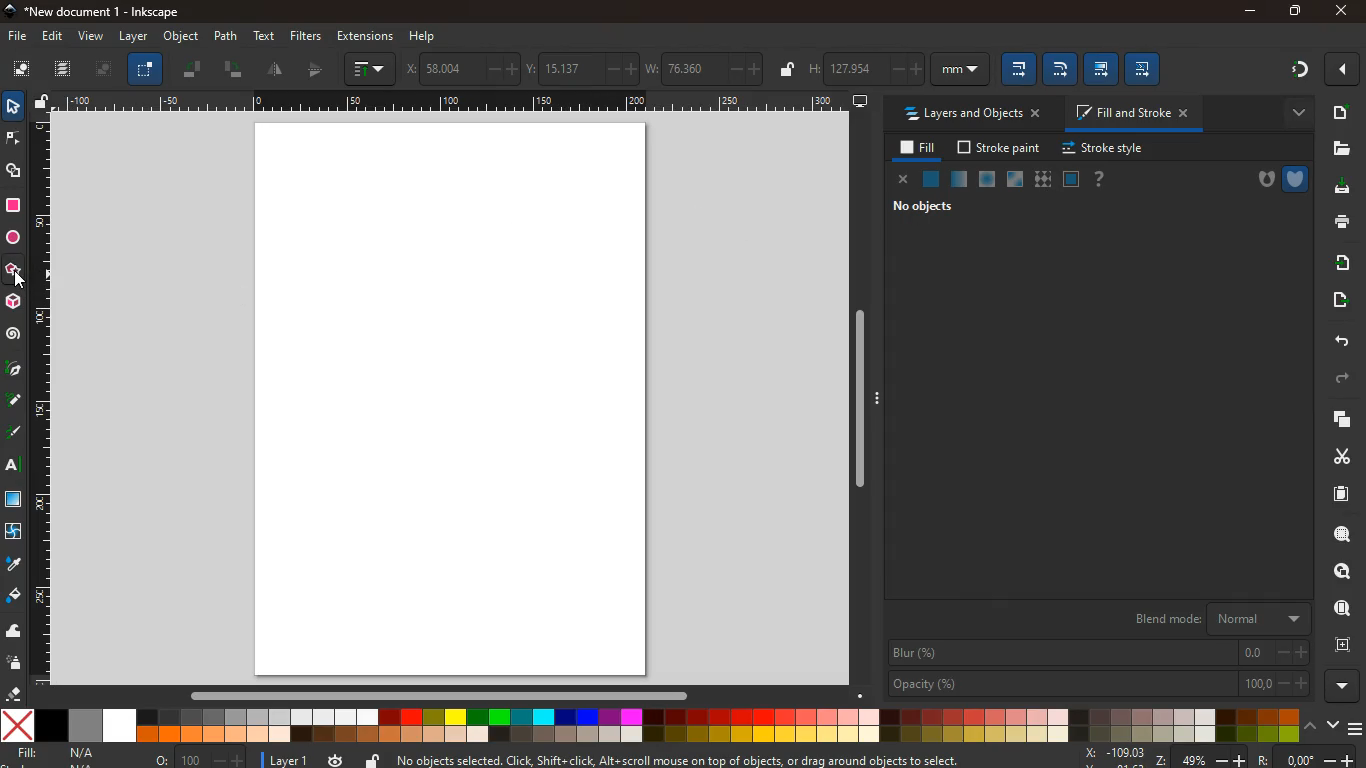 Image resolution: width=1366 pixels, height=768 pixels. What do you see at coordinates (15, 533) in the screenshot?
I see `twist` at bounding box center [15, 533].